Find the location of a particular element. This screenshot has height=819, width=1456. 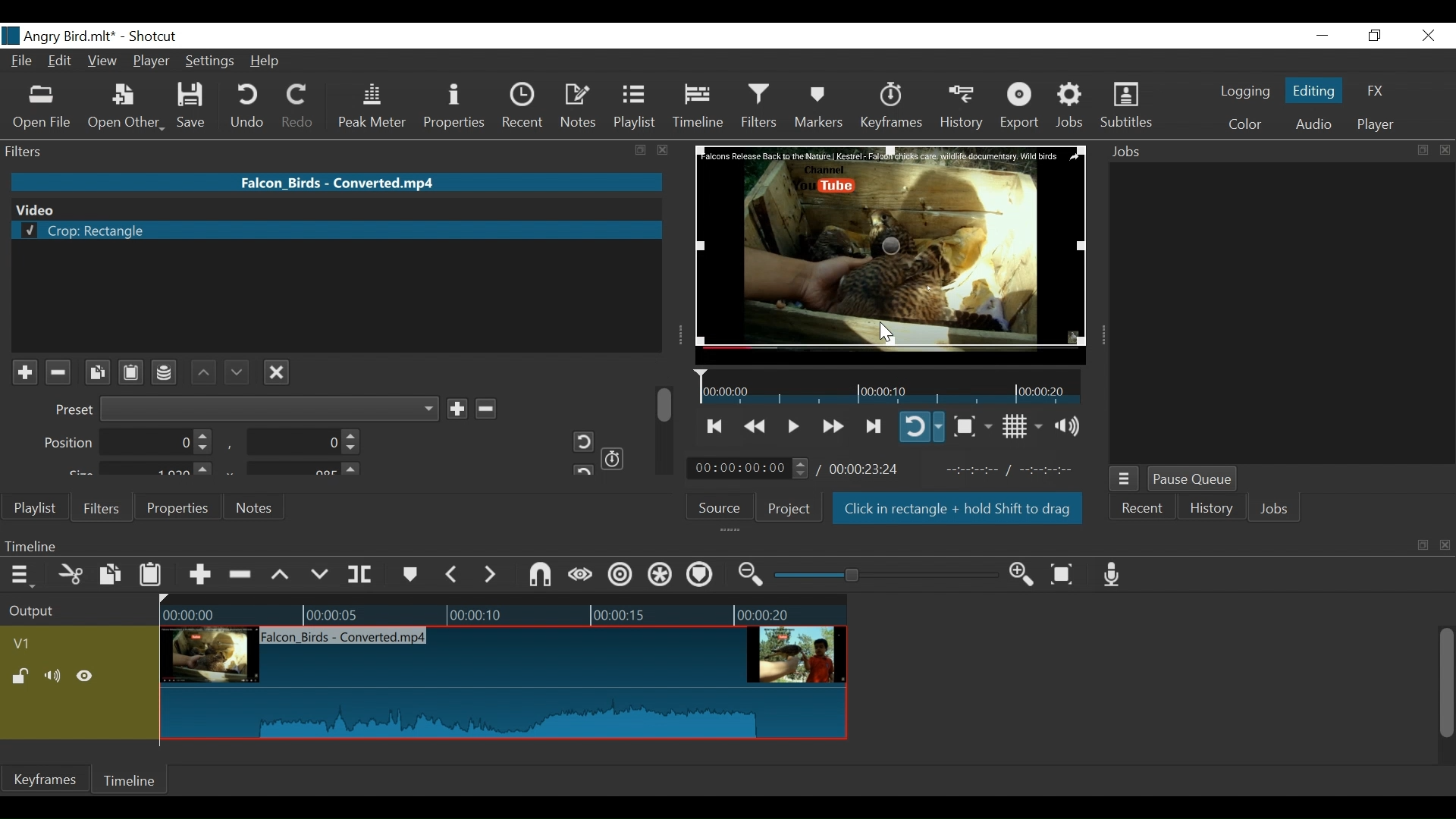

Help is located at coordinates (270, 61).